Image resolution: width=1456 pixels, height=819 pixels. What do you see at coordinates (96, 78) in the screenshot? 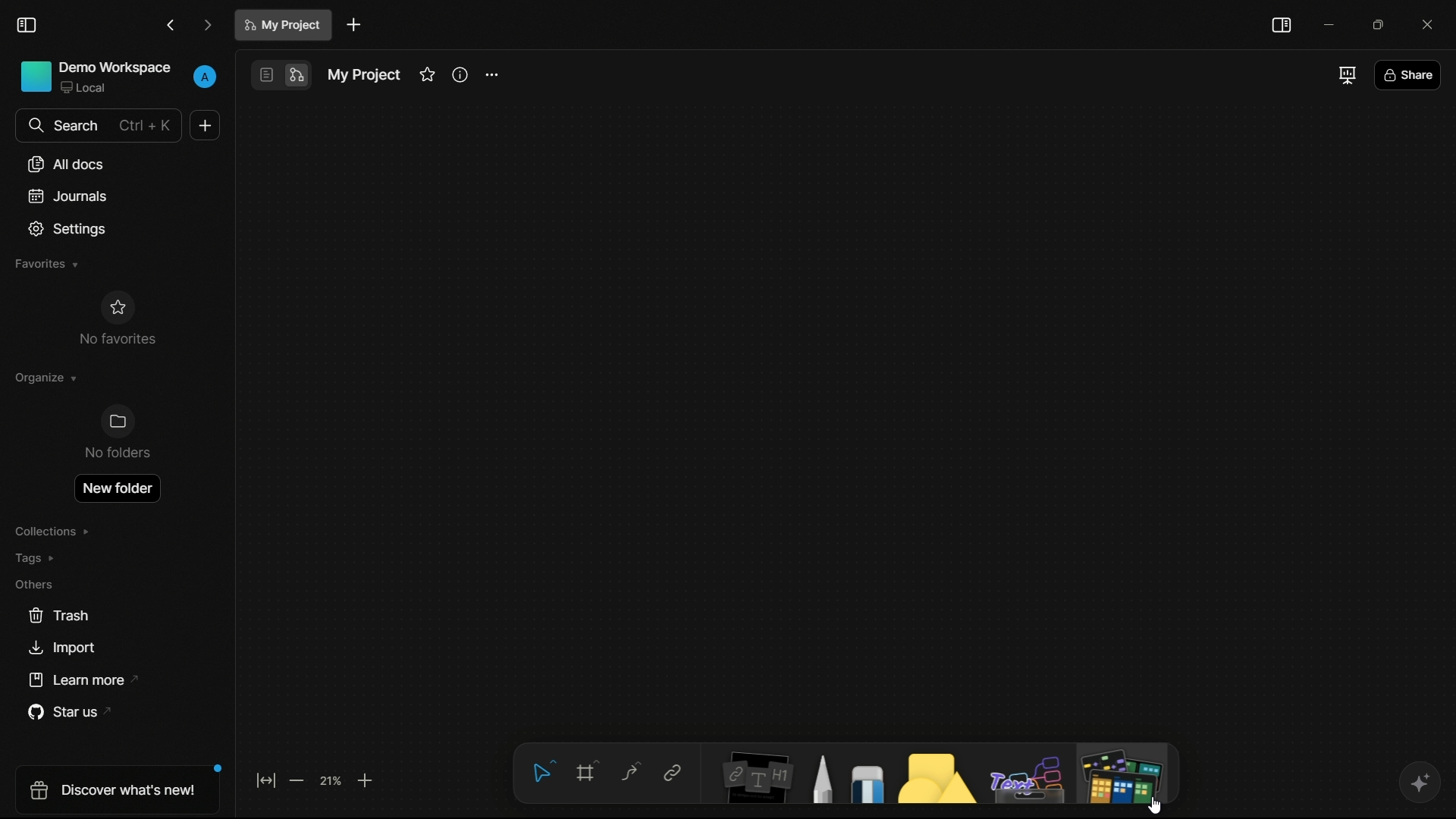
I see `demo workspace` at bounding box center [96, 78].